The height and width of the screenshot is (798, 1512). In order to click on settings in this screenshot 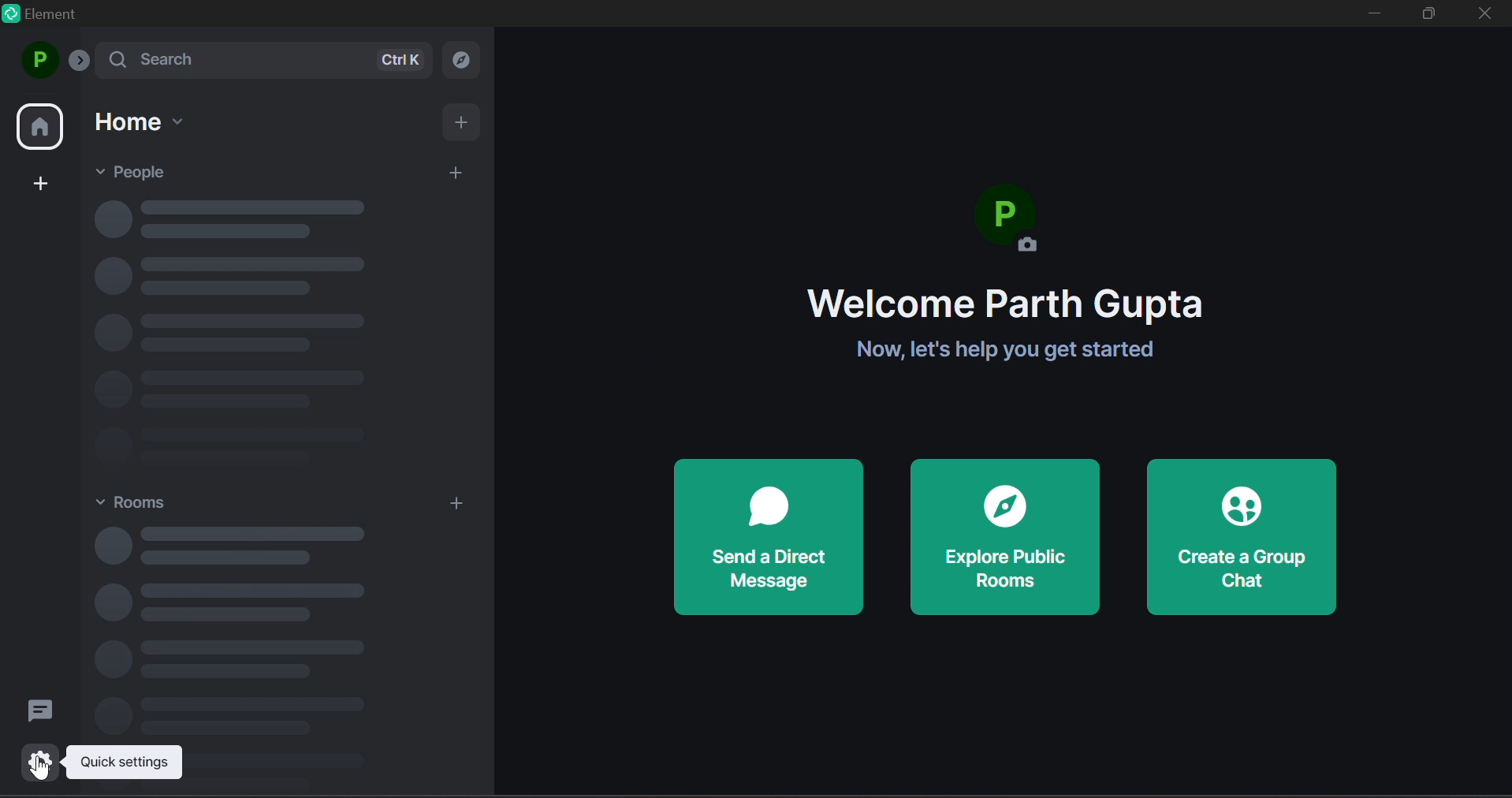, I will do `click(35, 759)`.